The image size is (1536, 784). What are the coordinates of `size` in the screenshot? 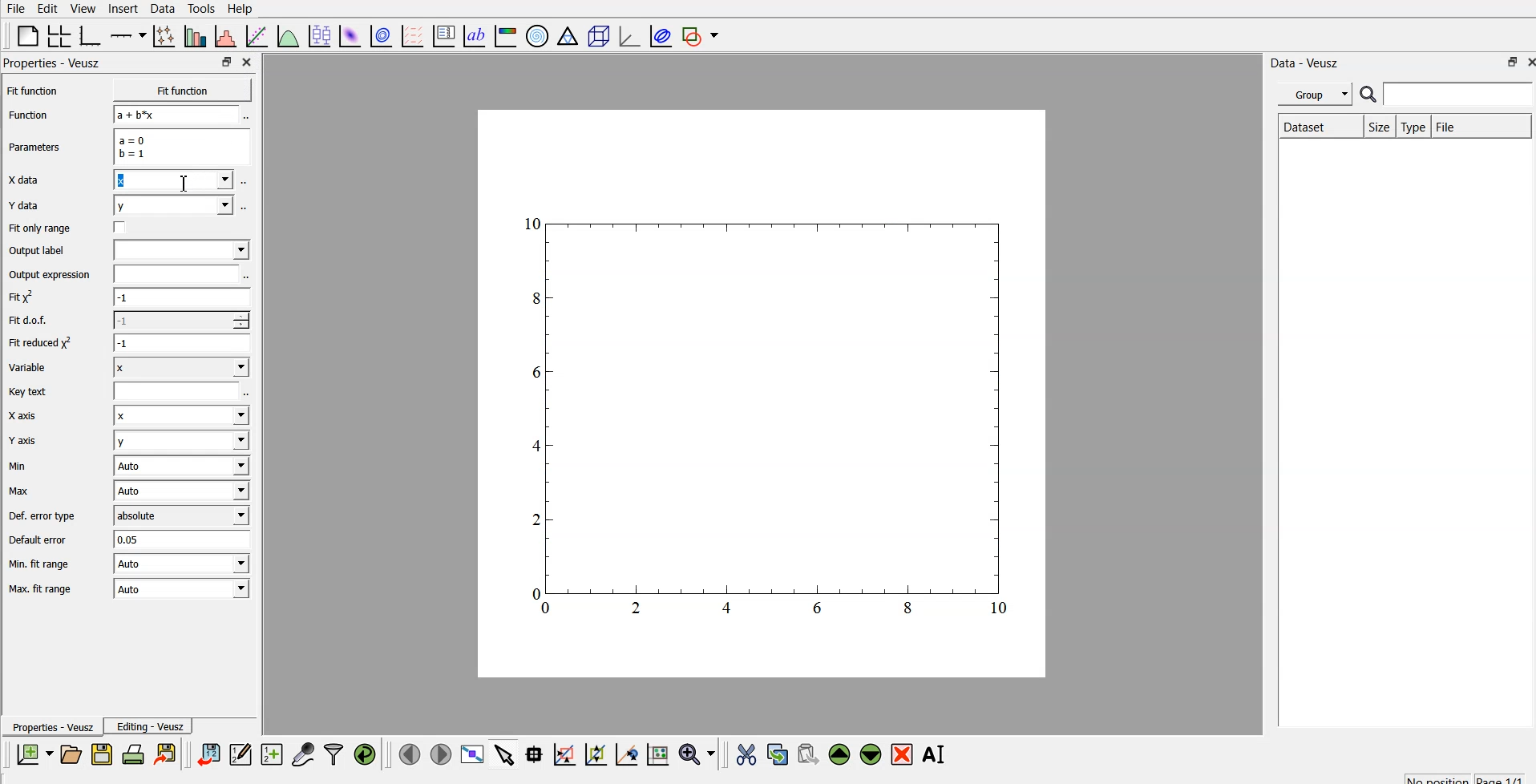 It's located at (1378, 126).